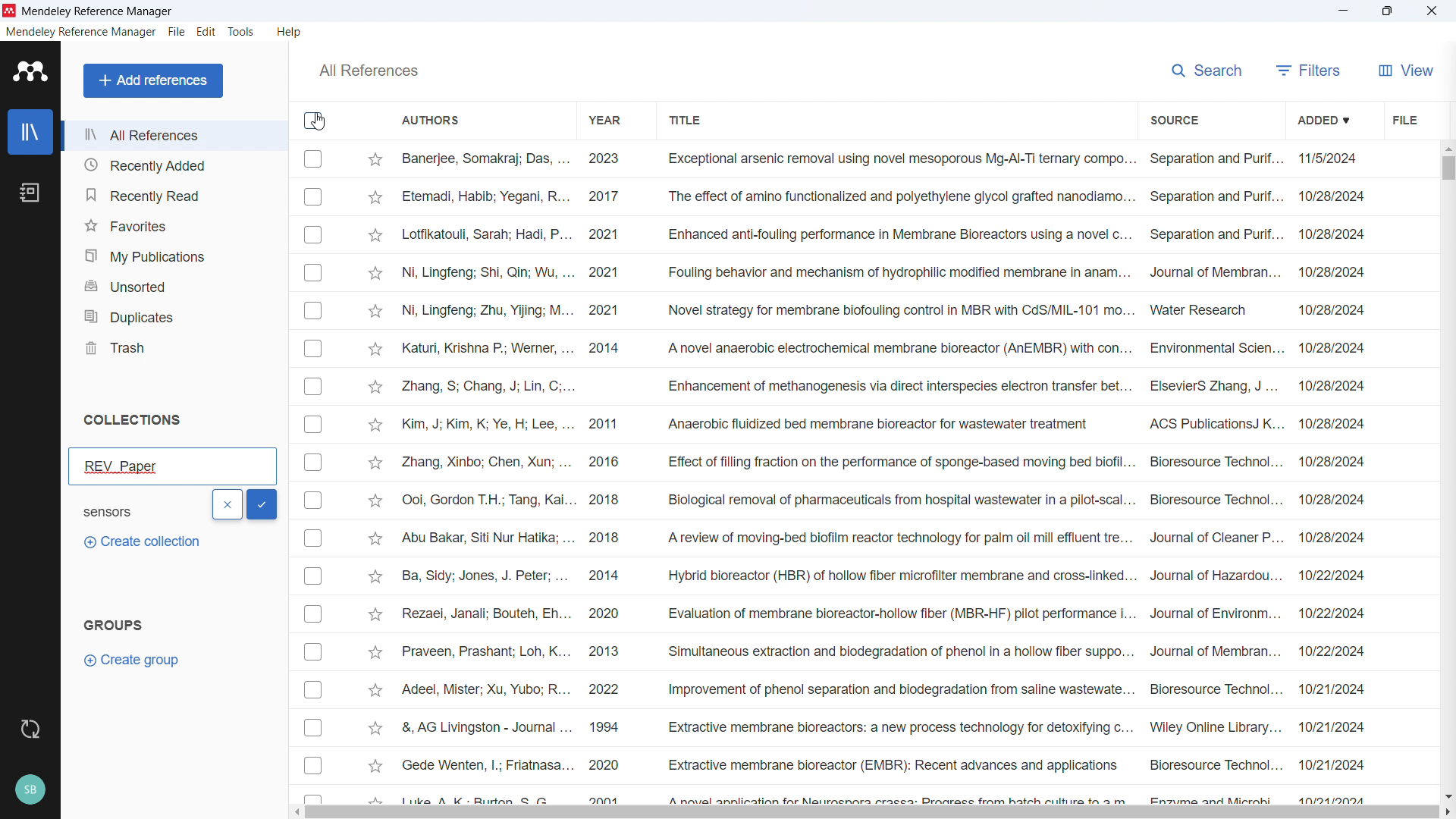 Image resolution: width=1456 pixels, height=819 pixels. I want to click on Scroll left , so click(300, 812).